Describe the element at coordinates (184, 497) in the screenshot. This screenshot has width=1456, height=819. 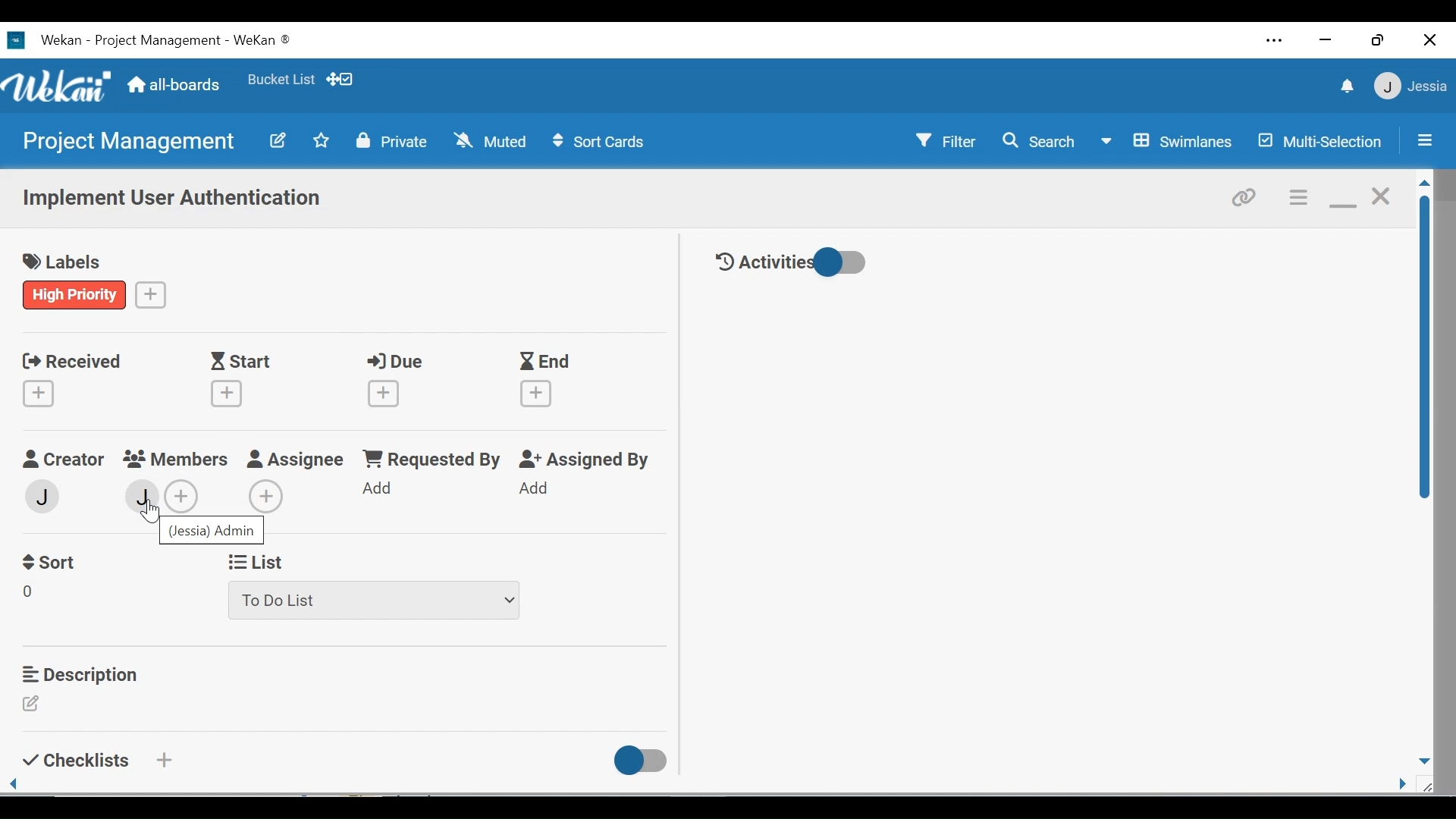
I see `add` at that location.